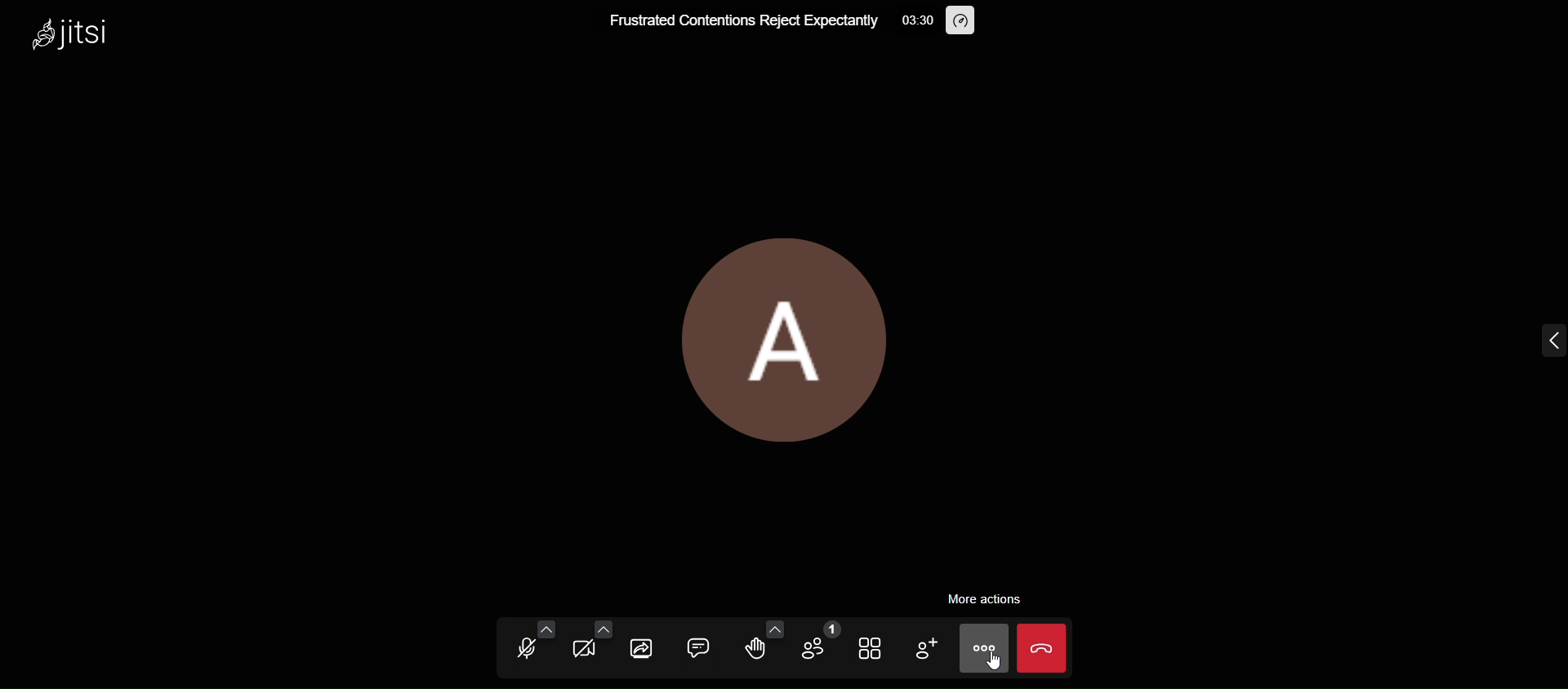  What do you see at coordinates (871, 649) in the screenshot?
I see `toggle view` at bounding box center [871, 649].